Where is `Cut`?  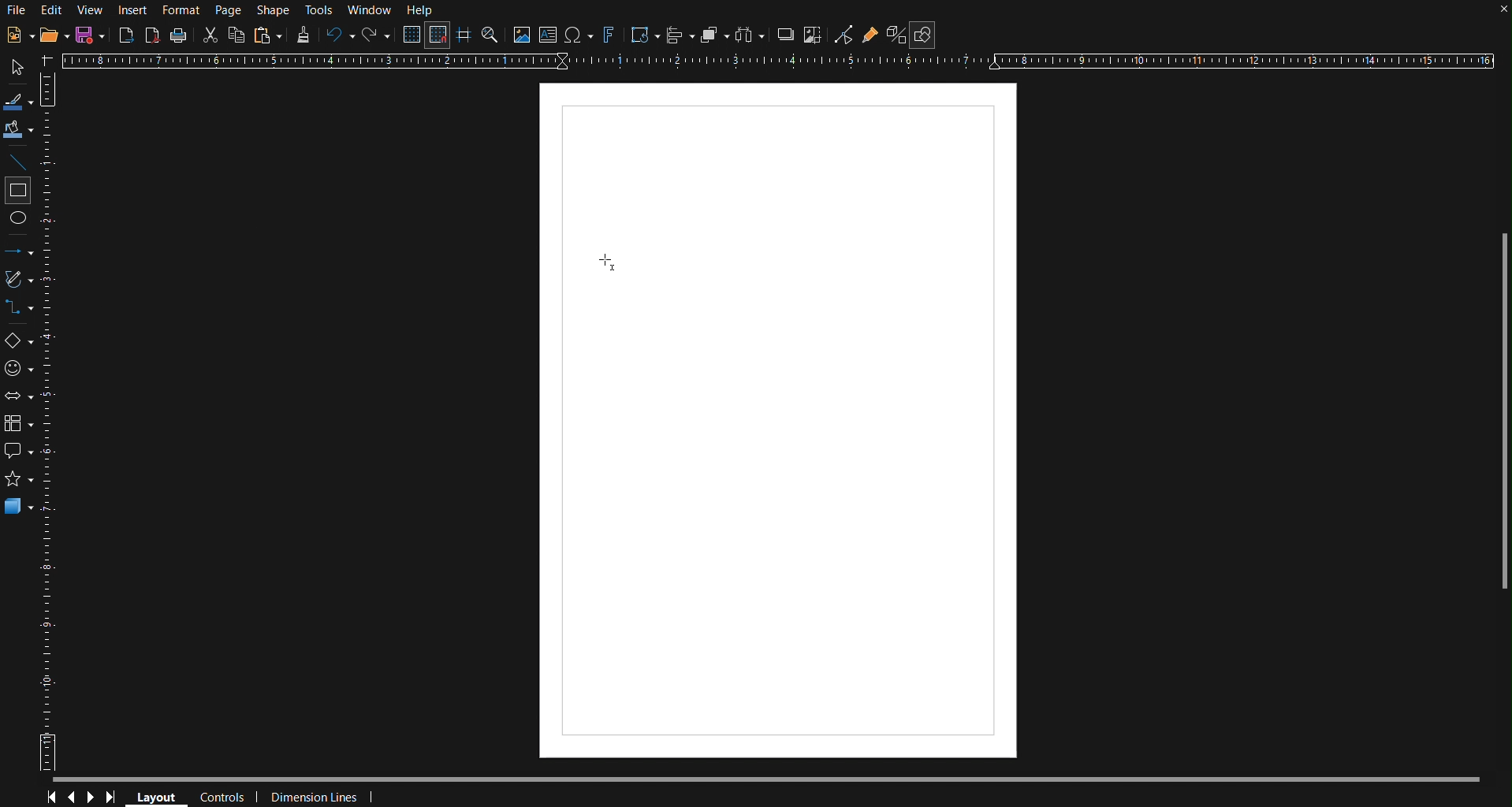
Cut is located at coordinates (208, 35).